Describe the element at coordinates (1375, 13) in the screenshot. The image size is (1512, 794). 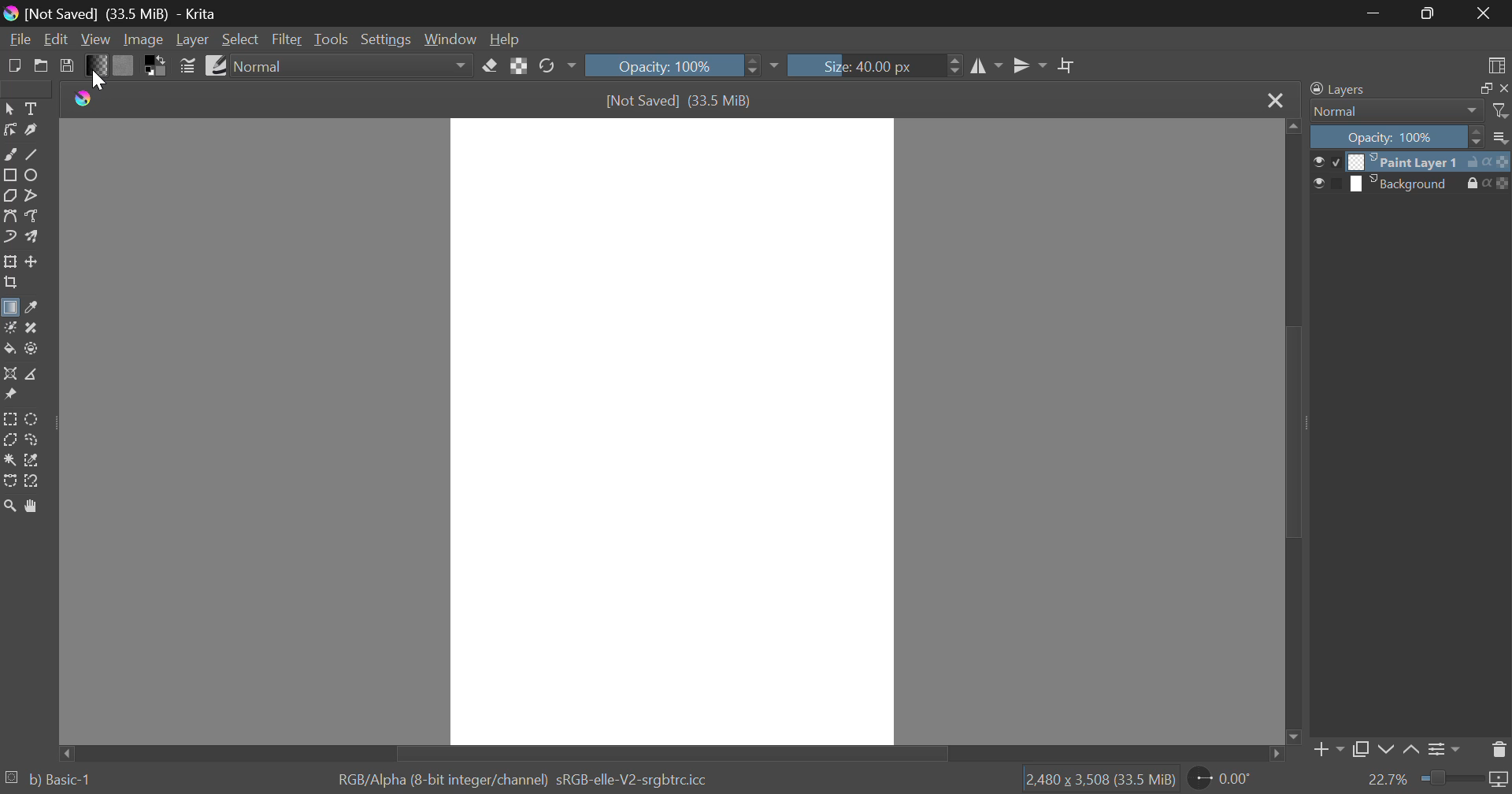
I see `Restore Down` at that location.